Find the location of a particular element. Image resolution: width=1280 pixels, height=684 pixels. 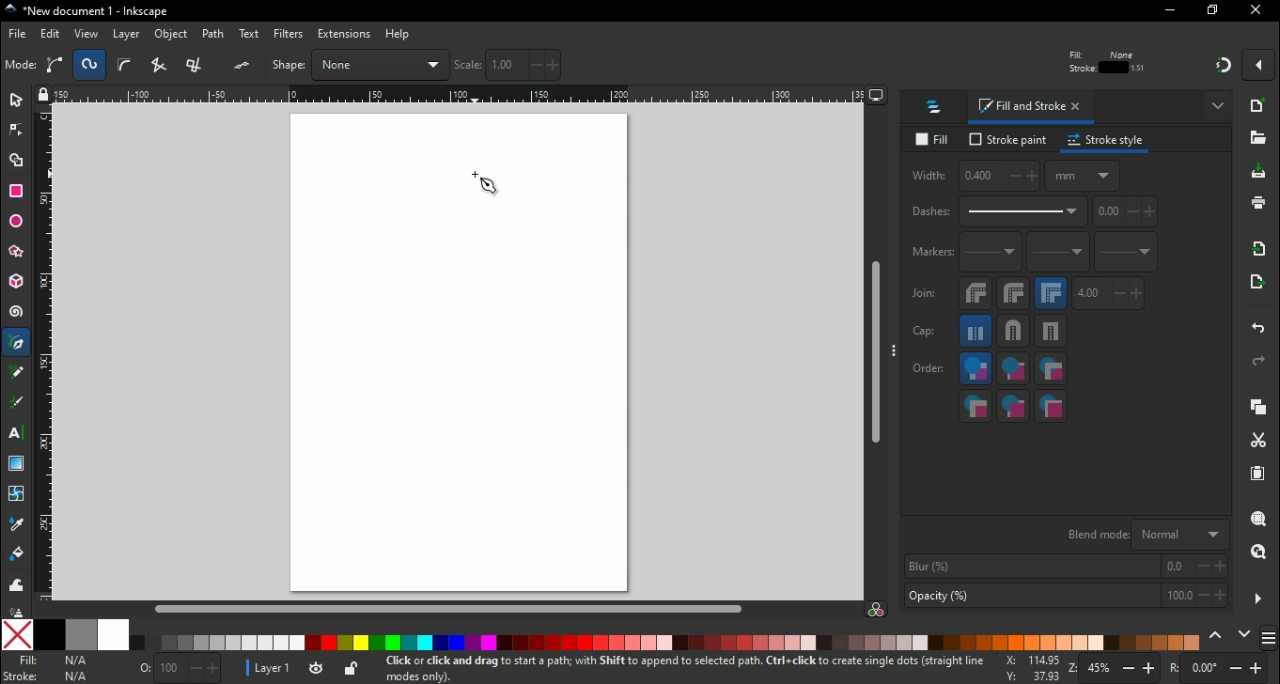

text tool is located at coordinates (16, 435).